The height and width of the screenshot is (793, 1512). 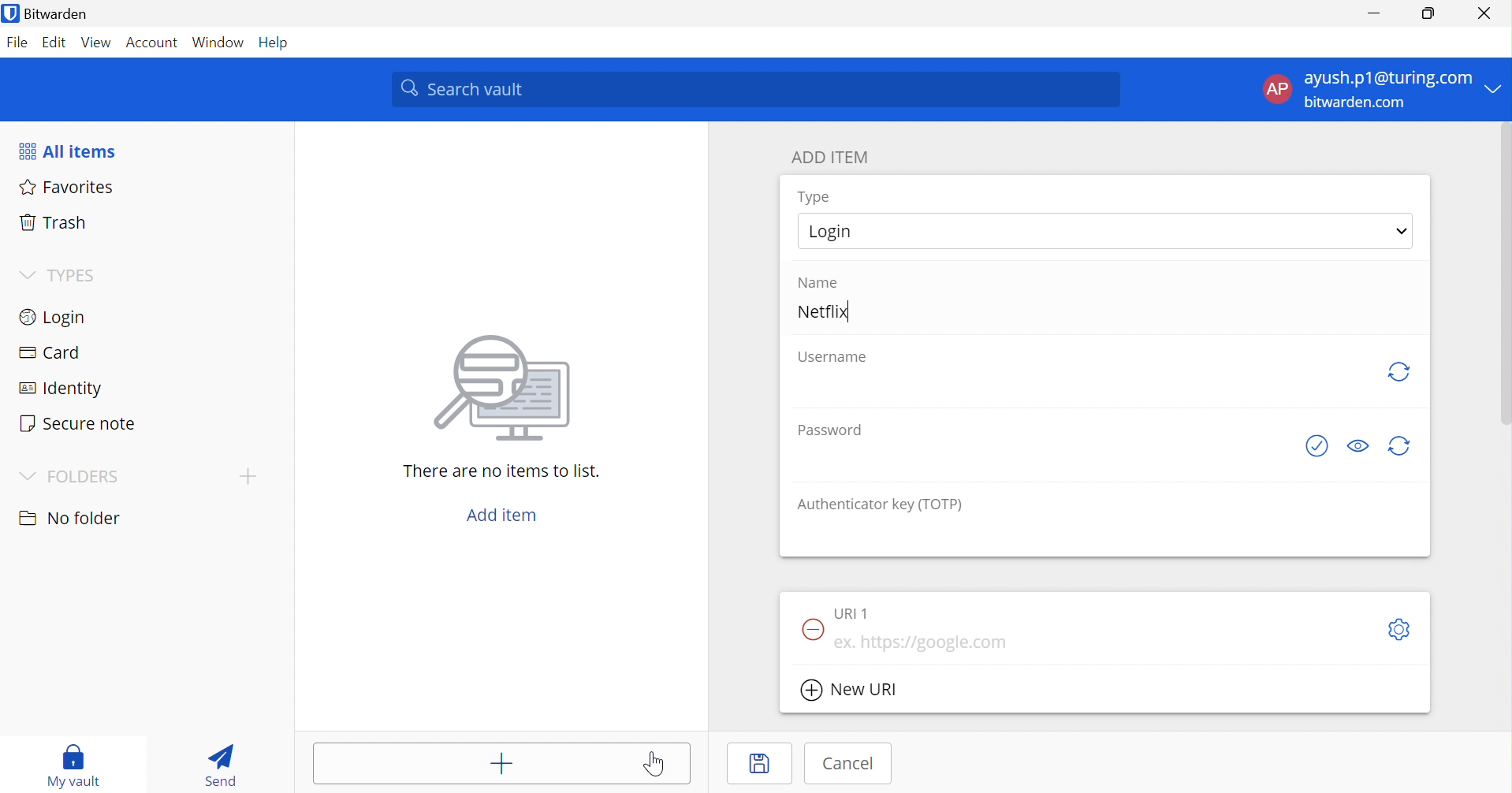 I want to click on ADD ITEM, so click(x=829, y=157).